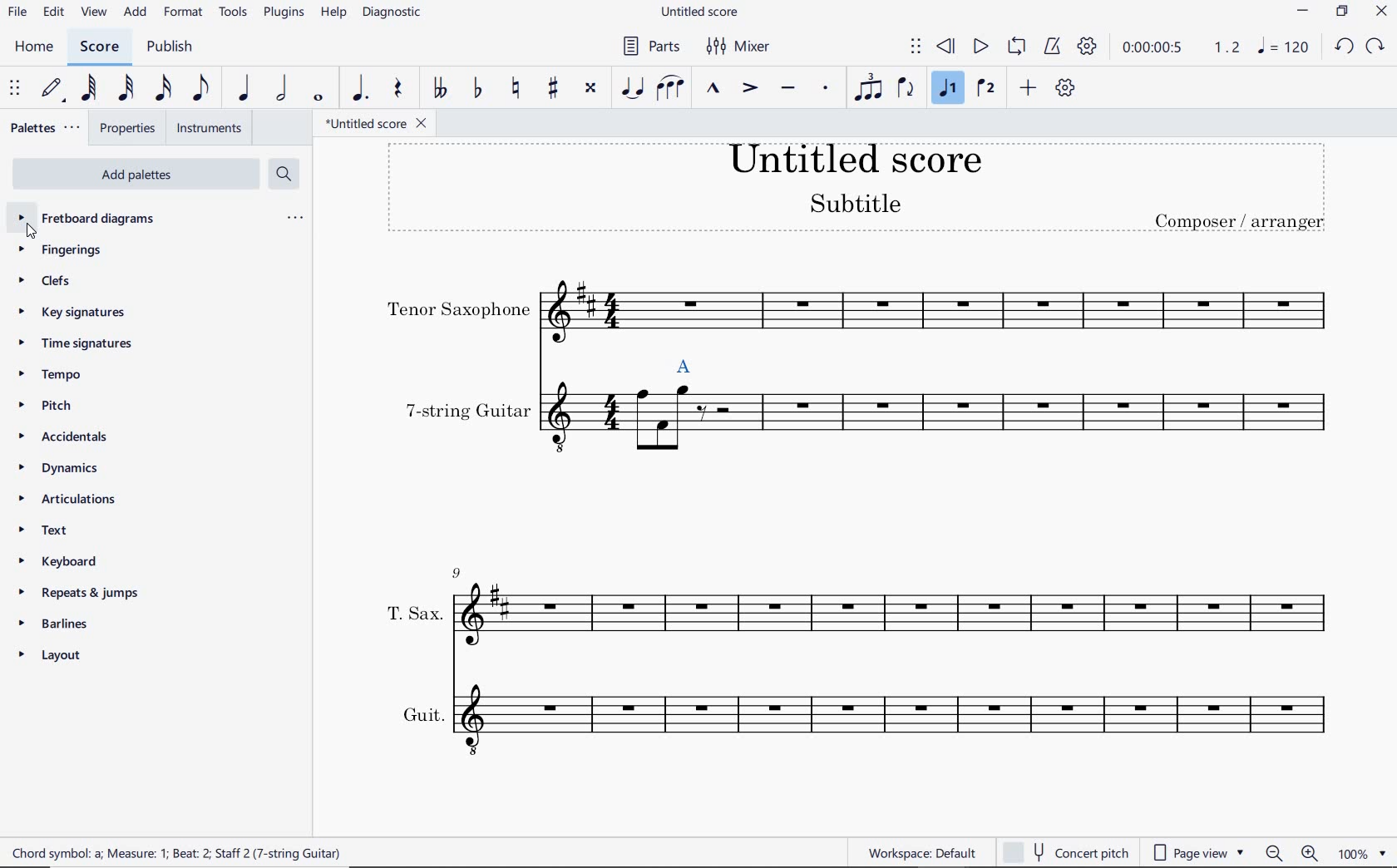 This screenshot has height=868, width=1397. What do you see at coordinates (333, 14) in the screenshot?
I see `HELP` at bounding box center [333, 14].